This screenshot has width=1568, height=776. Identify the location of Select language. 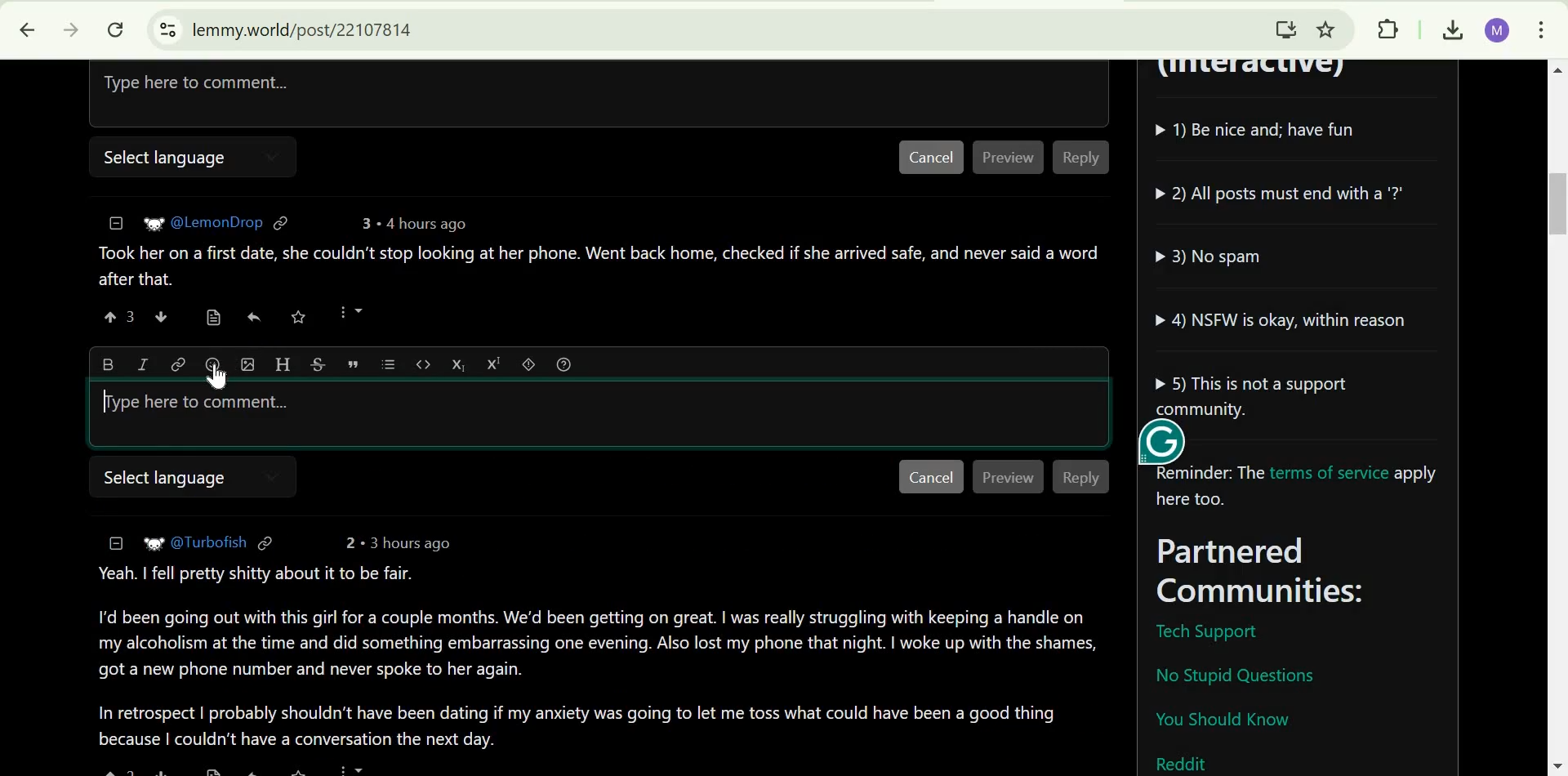
(163, 477).